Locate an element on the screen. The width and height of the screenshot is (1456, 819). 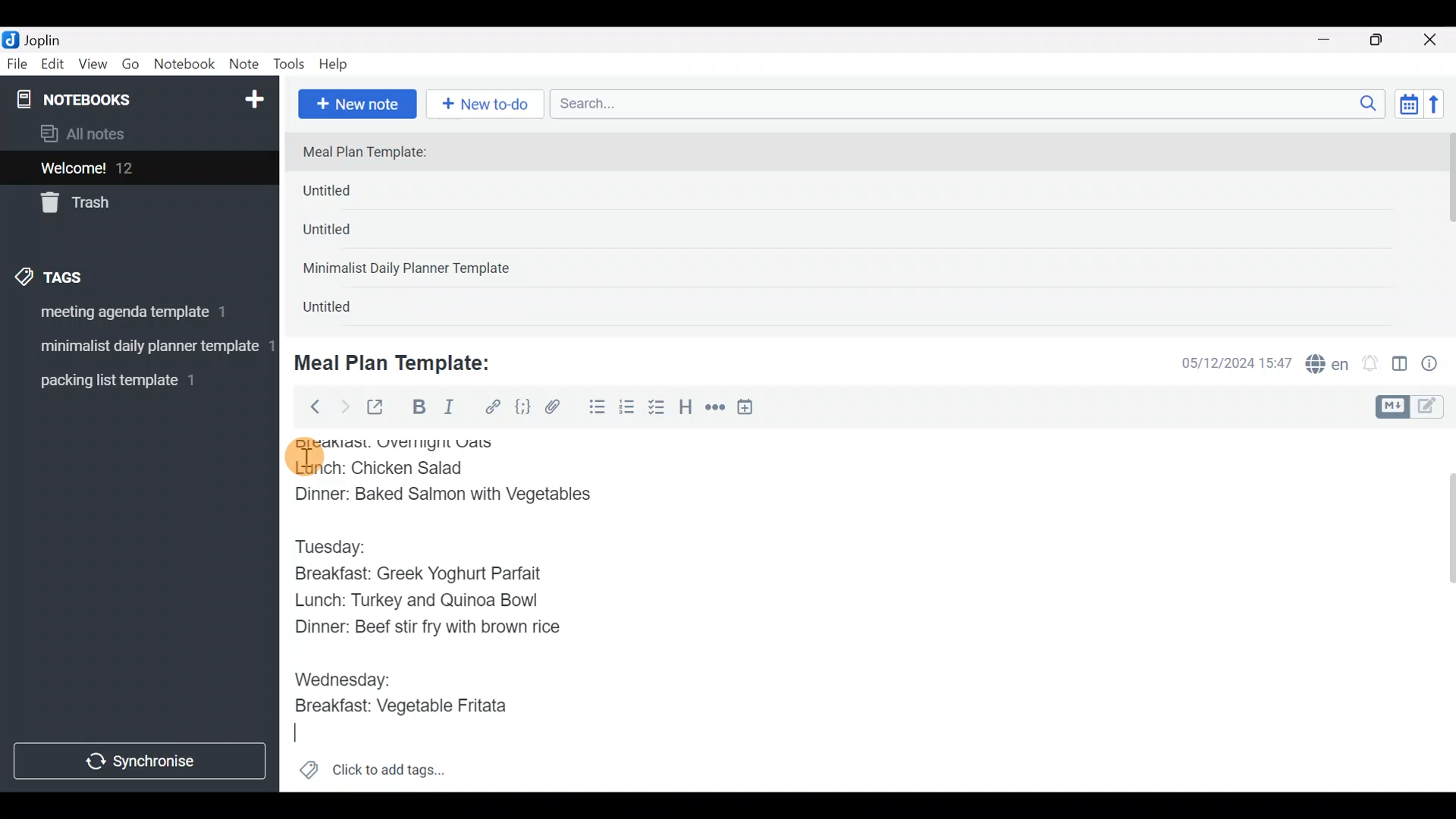
Untitled is located at coordinates (352, 194).